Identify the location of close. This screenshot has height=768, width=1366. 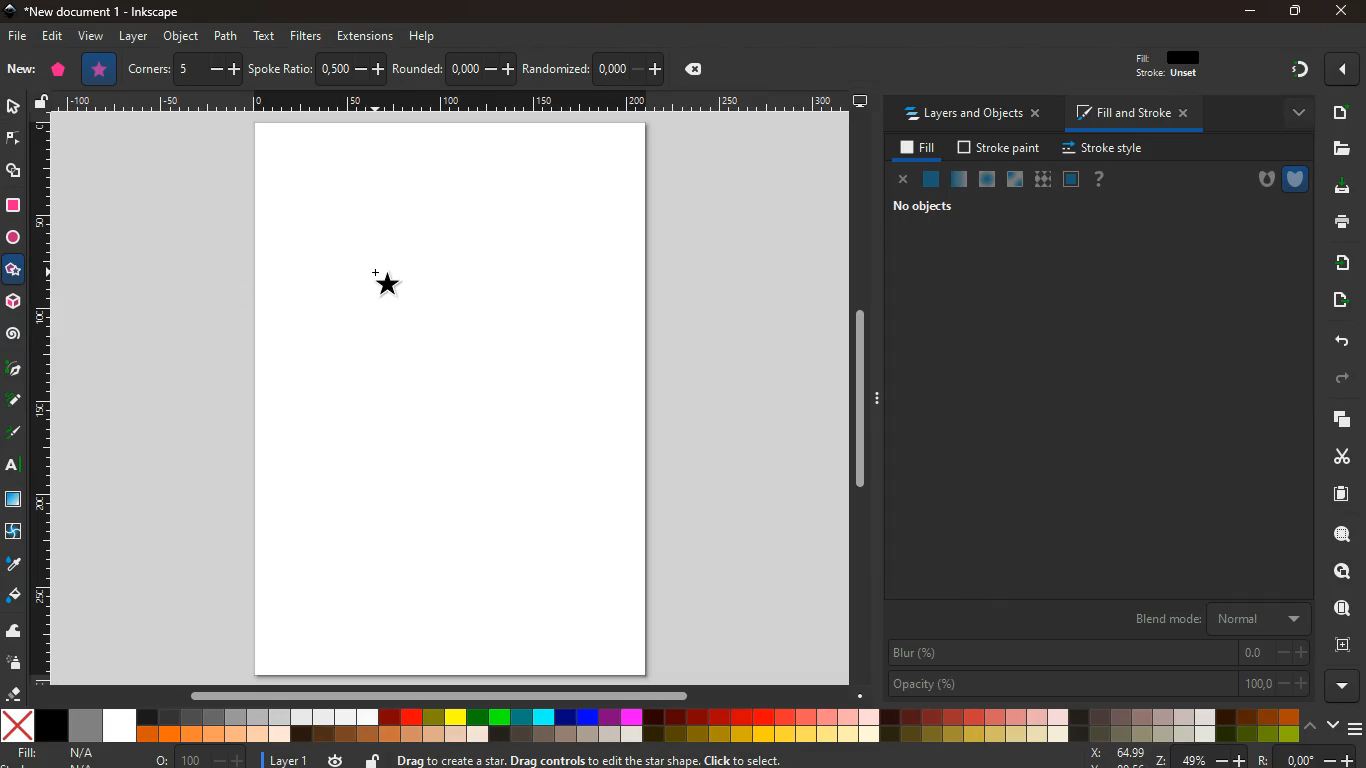
(1343, 9).